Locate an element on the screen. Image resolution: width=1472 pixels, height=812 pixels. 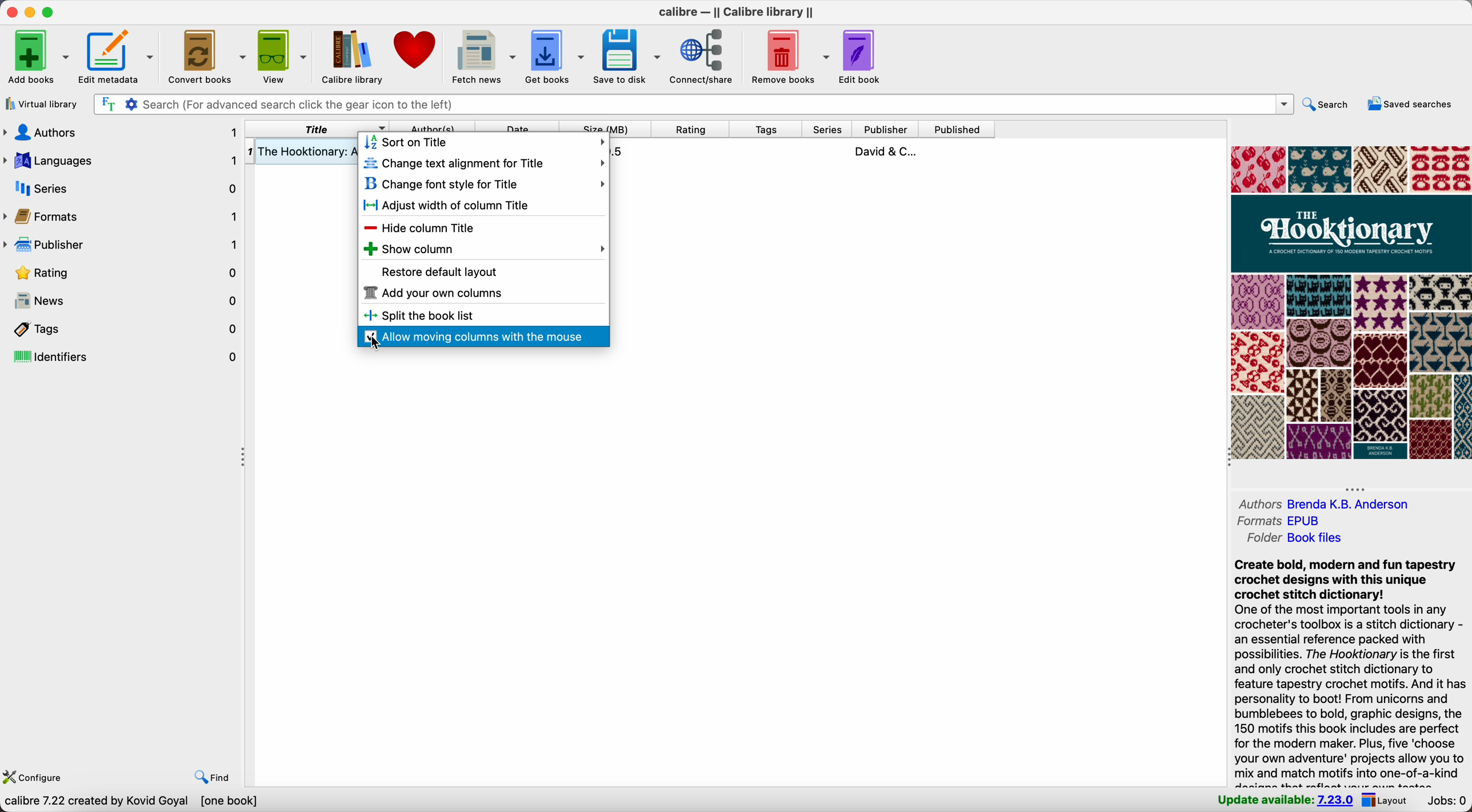
formats is located at coordinates (1278, 522).